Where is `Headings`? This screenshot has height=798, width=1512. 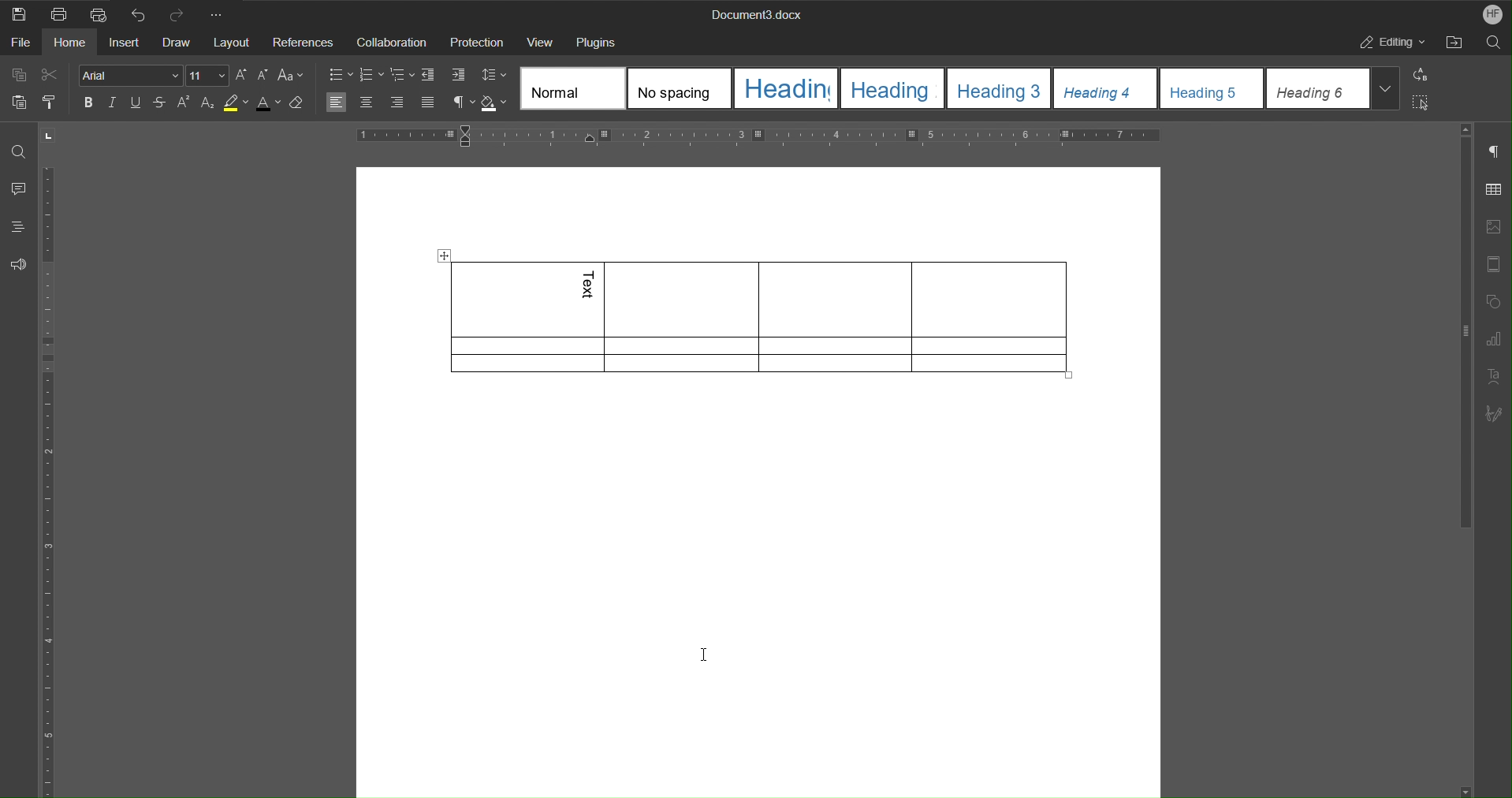 Headings is located at coordinates (18, 226).